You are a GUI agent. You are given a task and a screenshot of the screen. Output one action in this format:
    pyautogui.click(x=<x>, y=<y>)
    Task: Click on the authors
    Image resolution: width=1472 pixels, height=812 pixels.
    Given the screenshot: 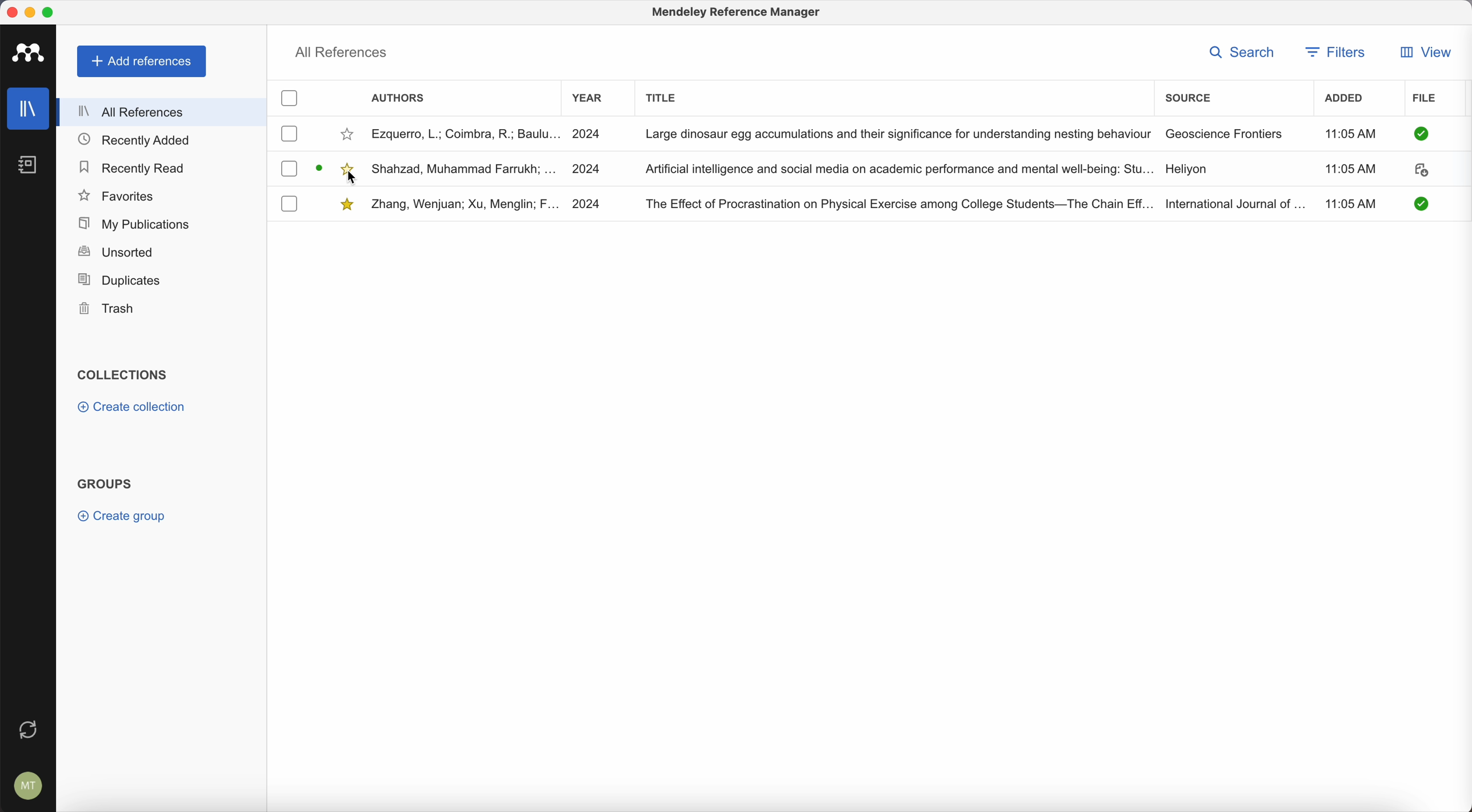 What is the action you would take?
    pyautogui.click(x=401, y=99)
    